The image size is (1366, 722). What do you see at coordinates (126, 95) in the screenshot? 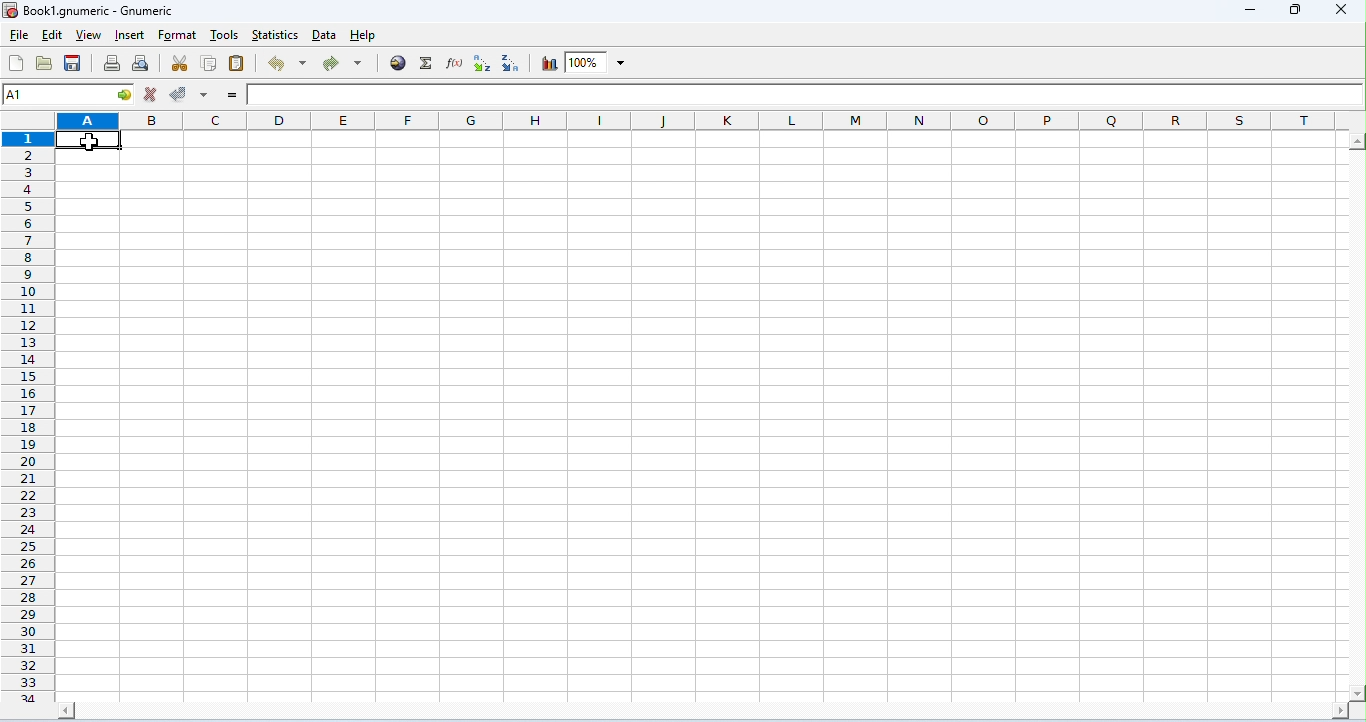
I see `cell options` at bounding box center [126, 95].